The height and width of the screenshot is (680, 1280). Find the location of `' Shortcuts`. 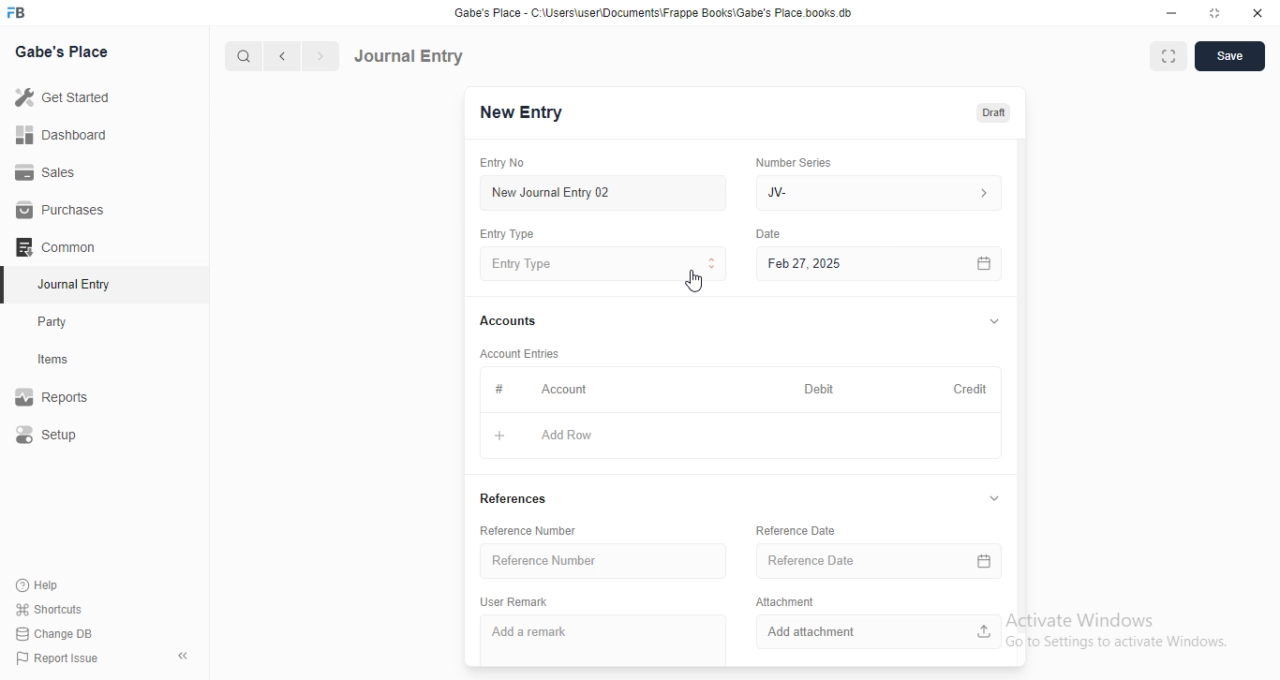

' Shortcuts is located at coordinates (50, 608).